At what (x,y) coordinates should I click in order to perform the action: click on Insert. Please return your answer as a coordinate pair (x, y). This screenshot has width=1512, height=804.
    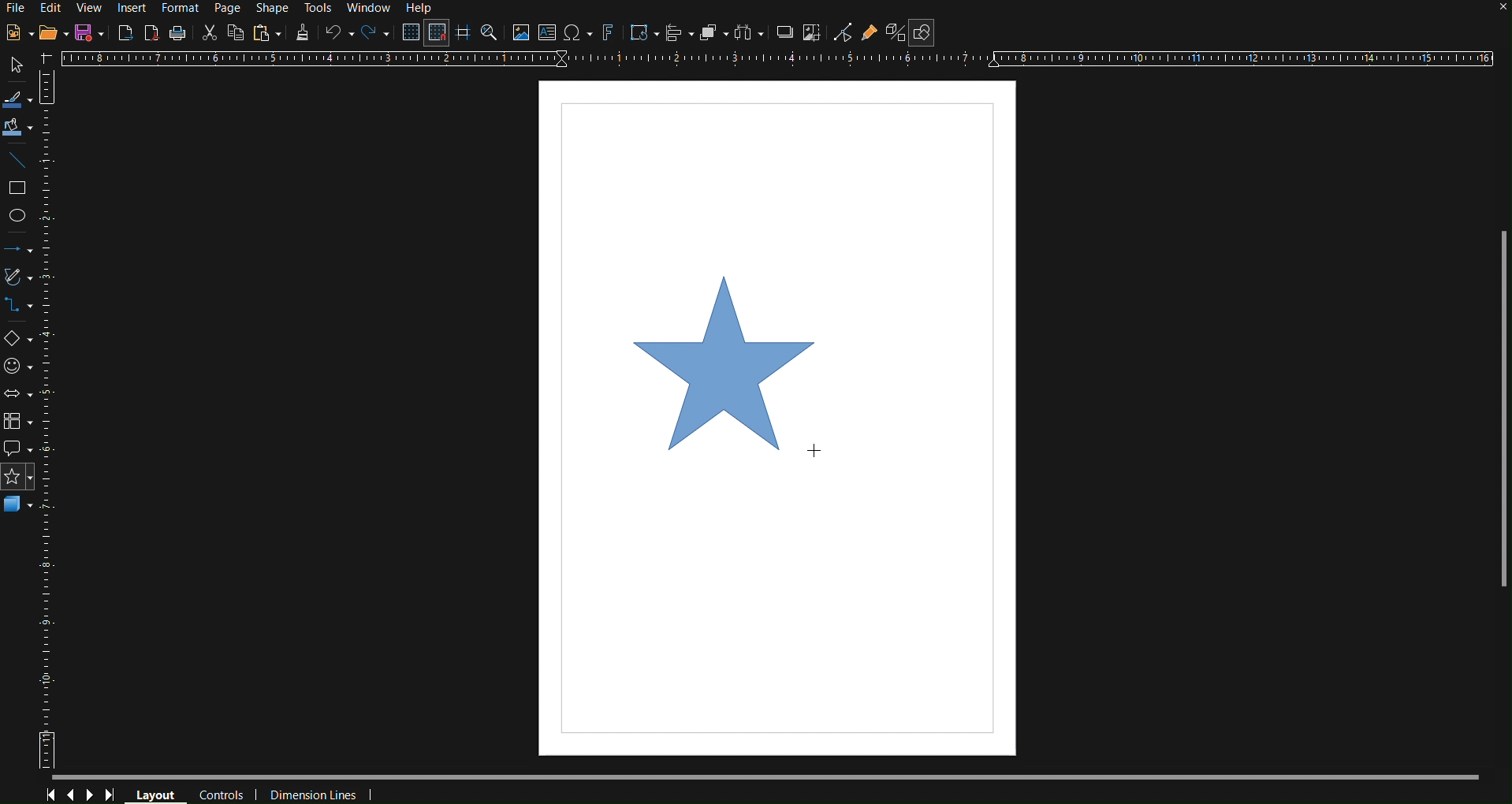
    Looking at the image, I should click on (131, 9).